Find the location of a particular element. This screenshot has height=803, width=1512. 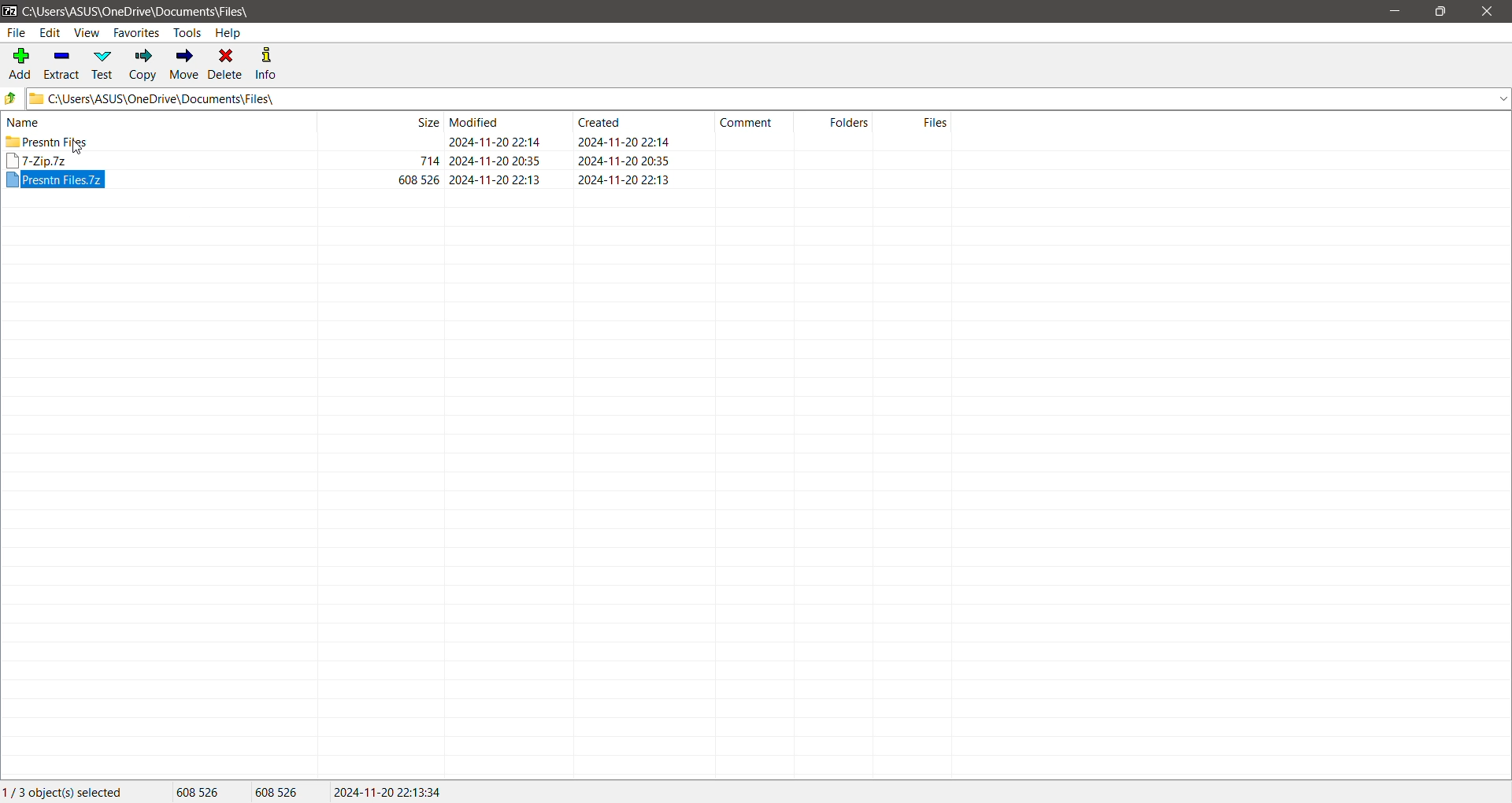

files is located at coordinates (936, 122).